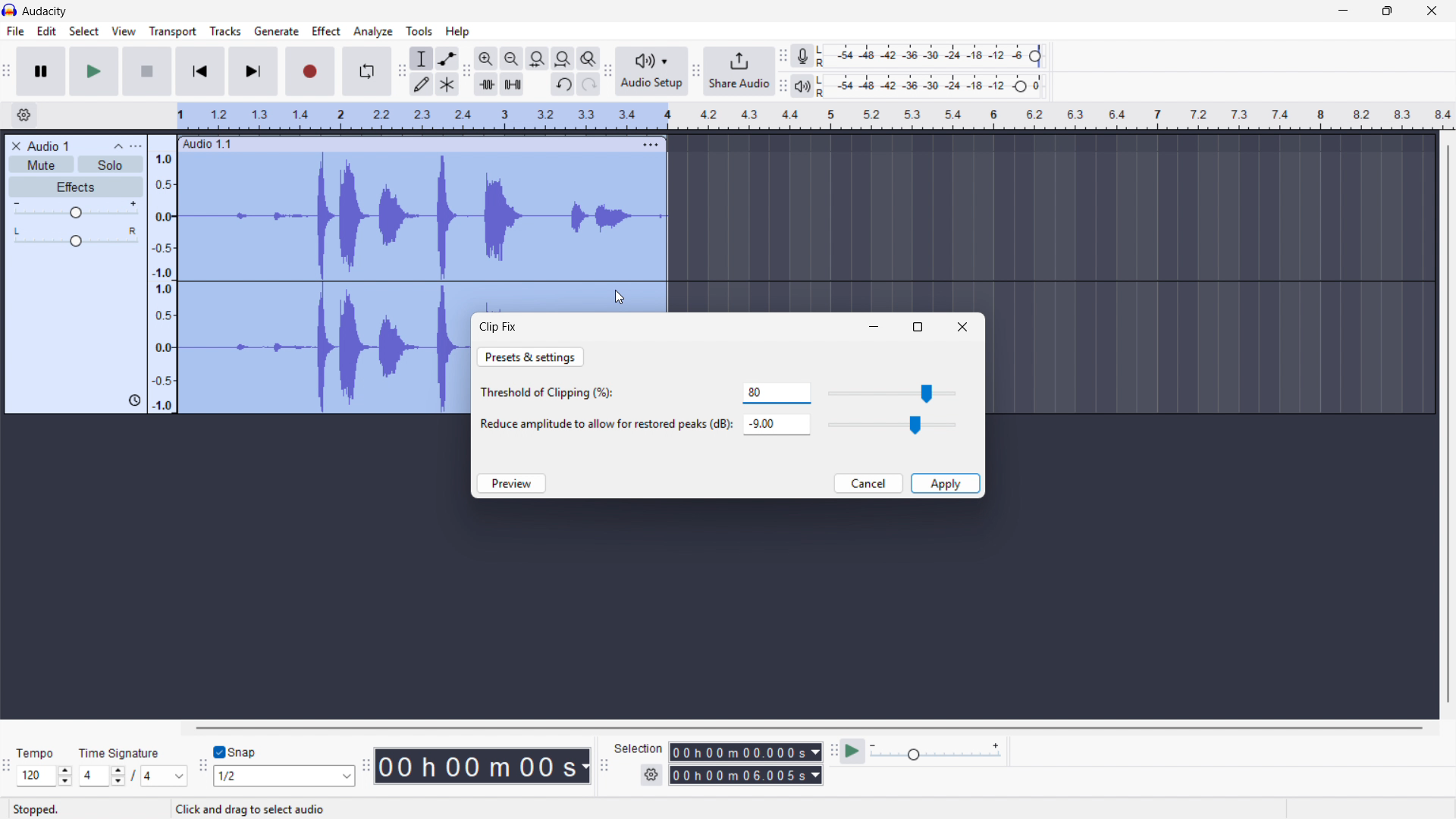 The height and width of the screenshot is (819, 1456). I want to click on Edit , so click(47, 31).